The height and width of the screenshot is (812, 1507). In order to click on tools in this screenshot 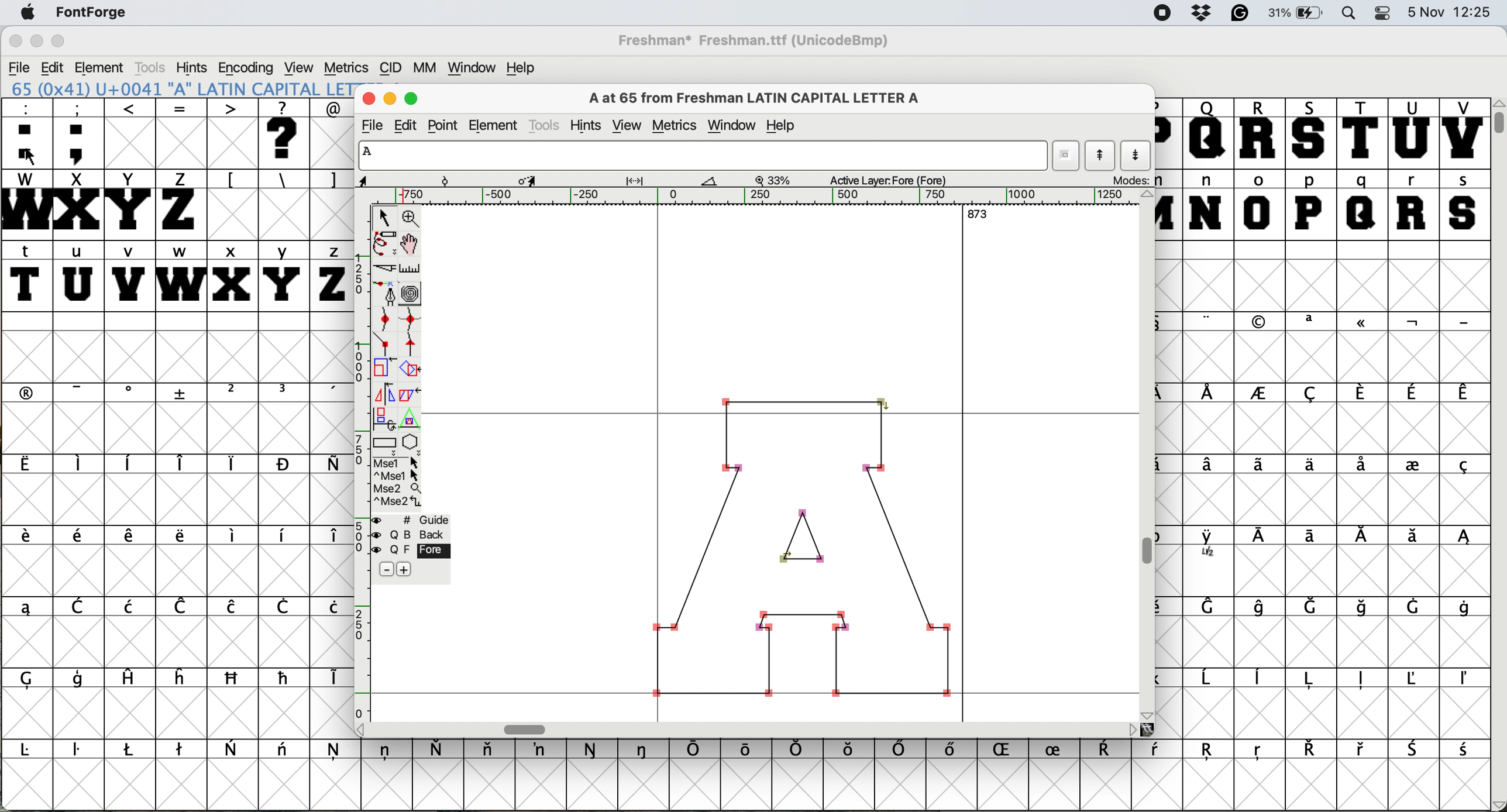, I will do `click(155, 66)`.